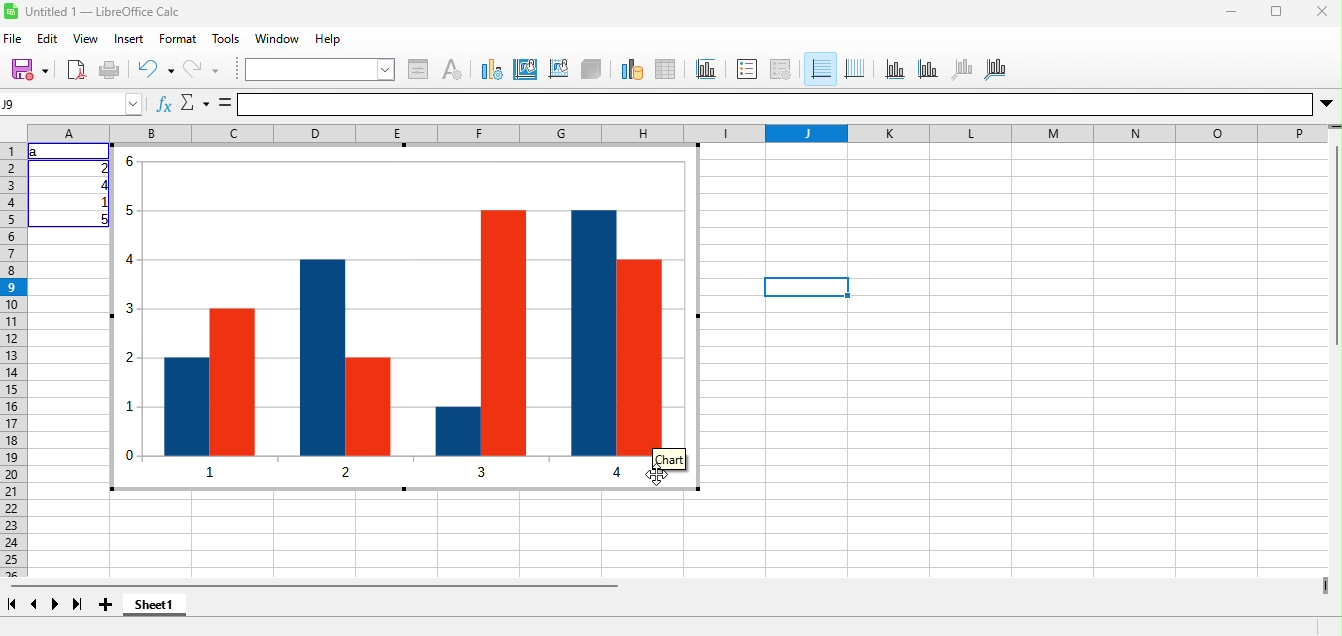 This screenshot has width=1342, height=636. What do you see at coordinates (821, 70) in the screenshot?
I see `horizontal grids` at bounding box center [821, 70].